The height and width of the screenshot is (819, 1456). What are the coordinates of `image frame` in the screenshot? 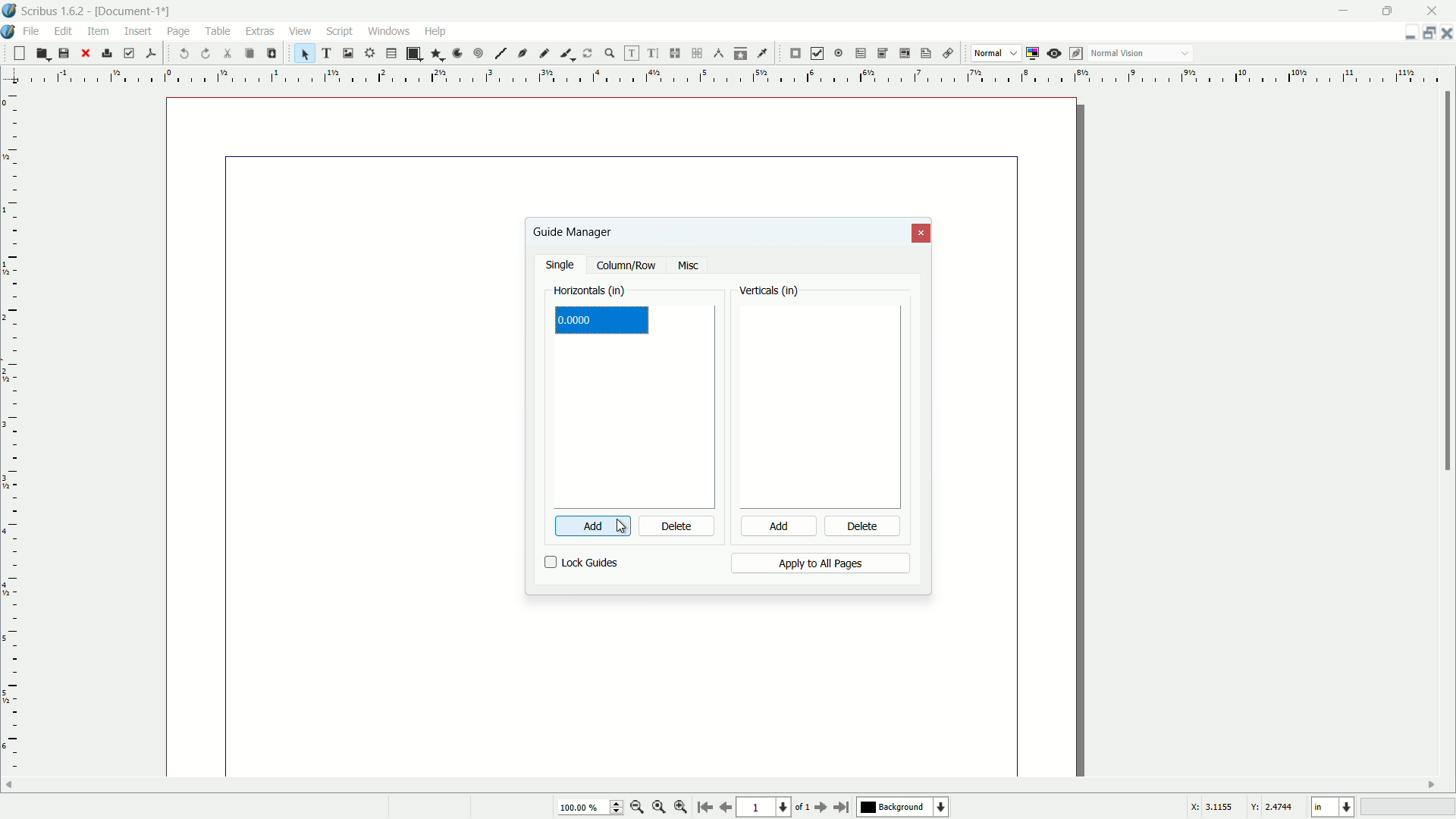 It's located at (347, 52).